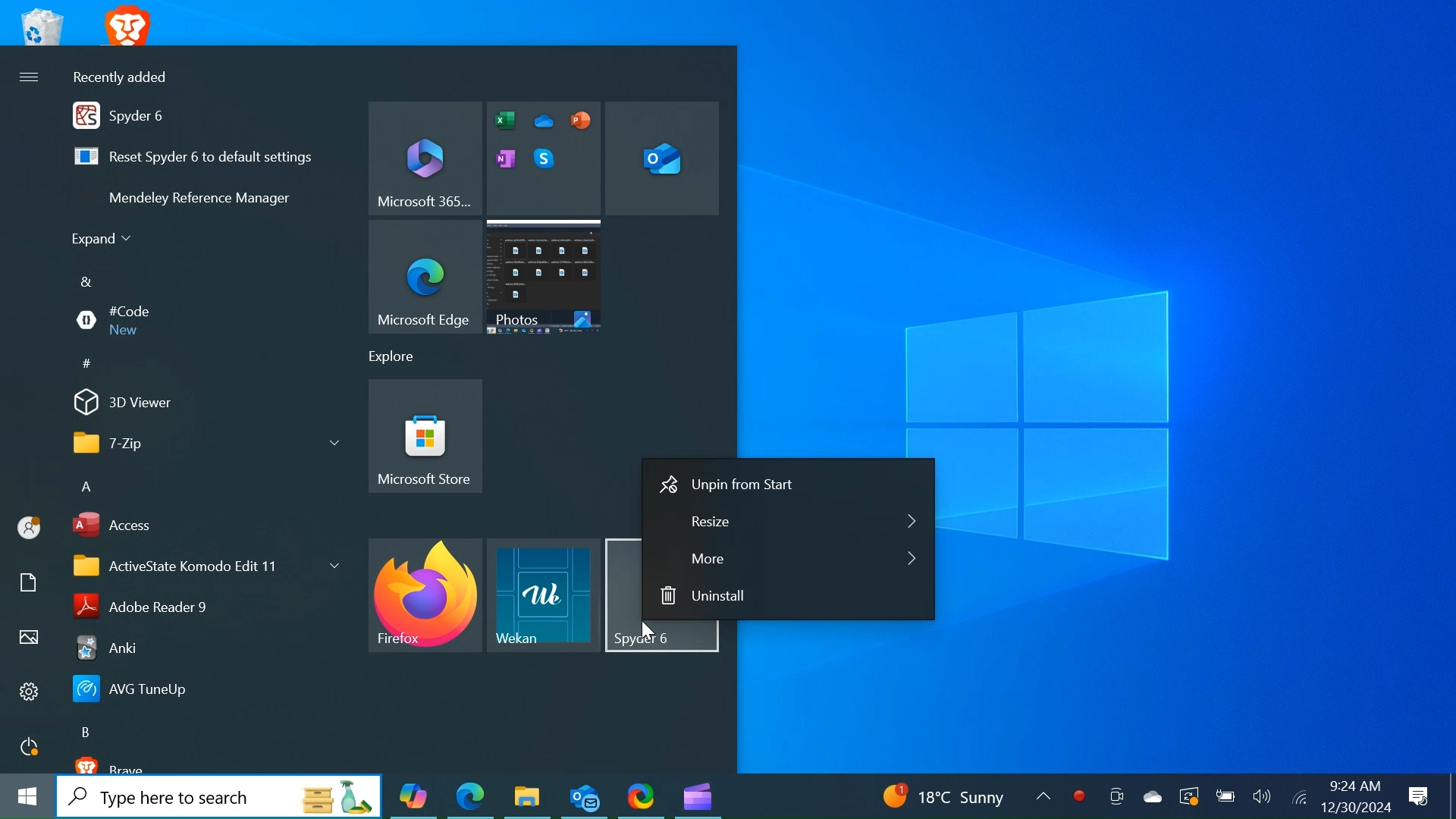  Describe the element at coordinates (425, 593) in the screenshot. I see `Firefox Desktop Icon` at that location.